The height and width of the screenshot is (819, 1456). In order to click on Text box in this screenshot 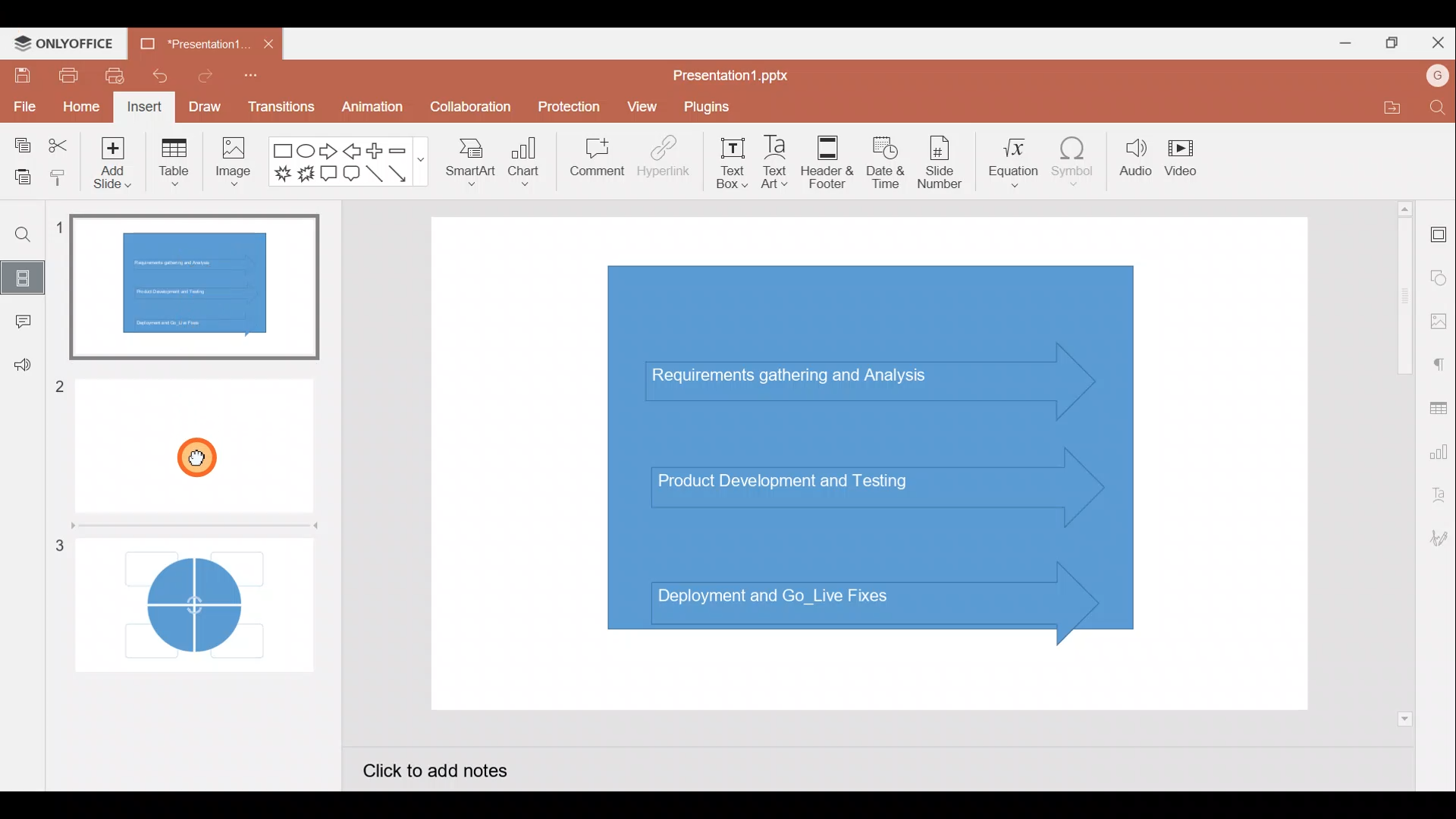, I will do `click(728, 163)`.